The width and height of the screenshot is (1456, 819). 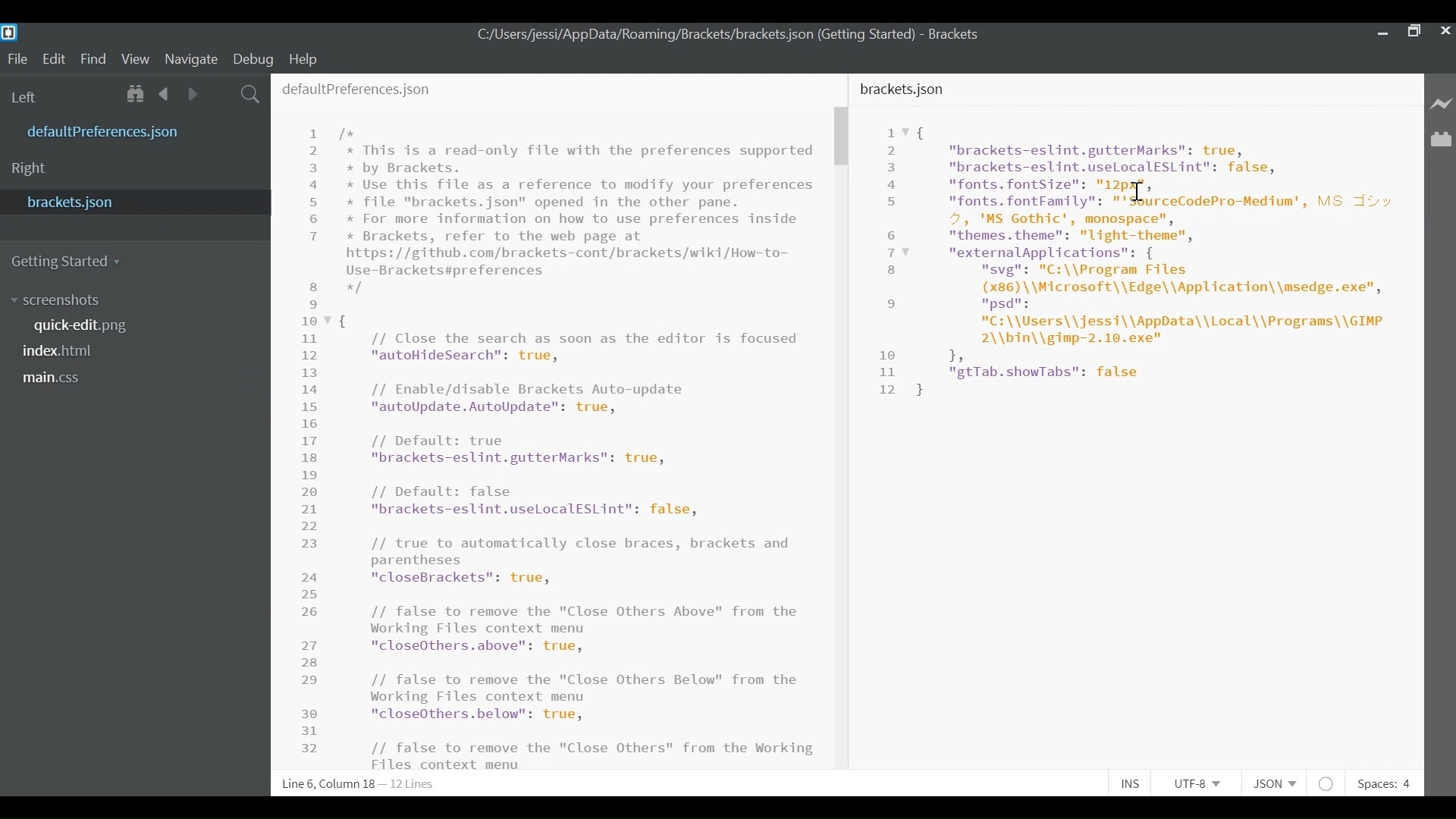 I want to click on minimize, so click(x=1380, y=32).